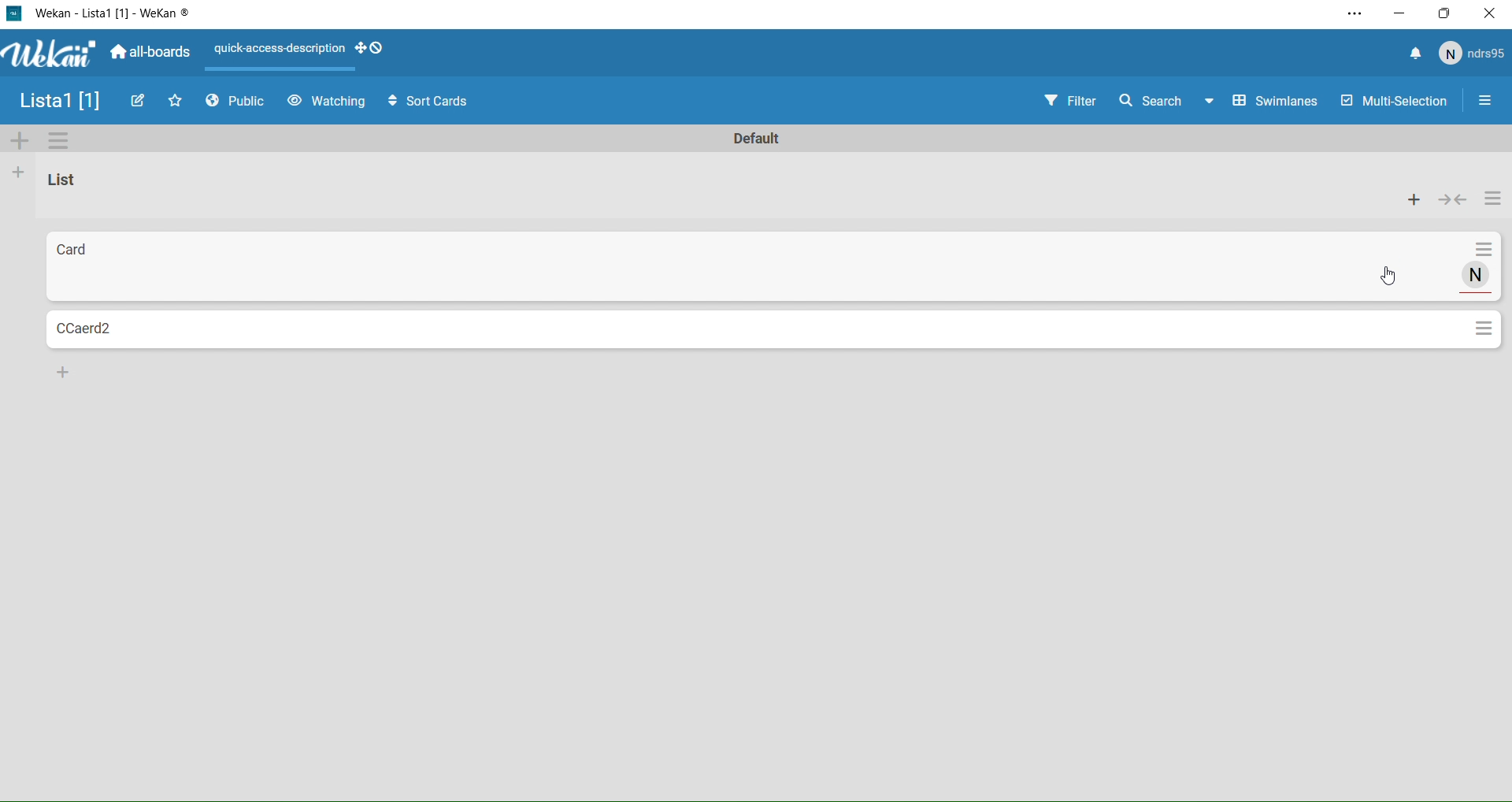  Describe the element at coordinates (67, 372) in the screenshot. I see `add` at that location.